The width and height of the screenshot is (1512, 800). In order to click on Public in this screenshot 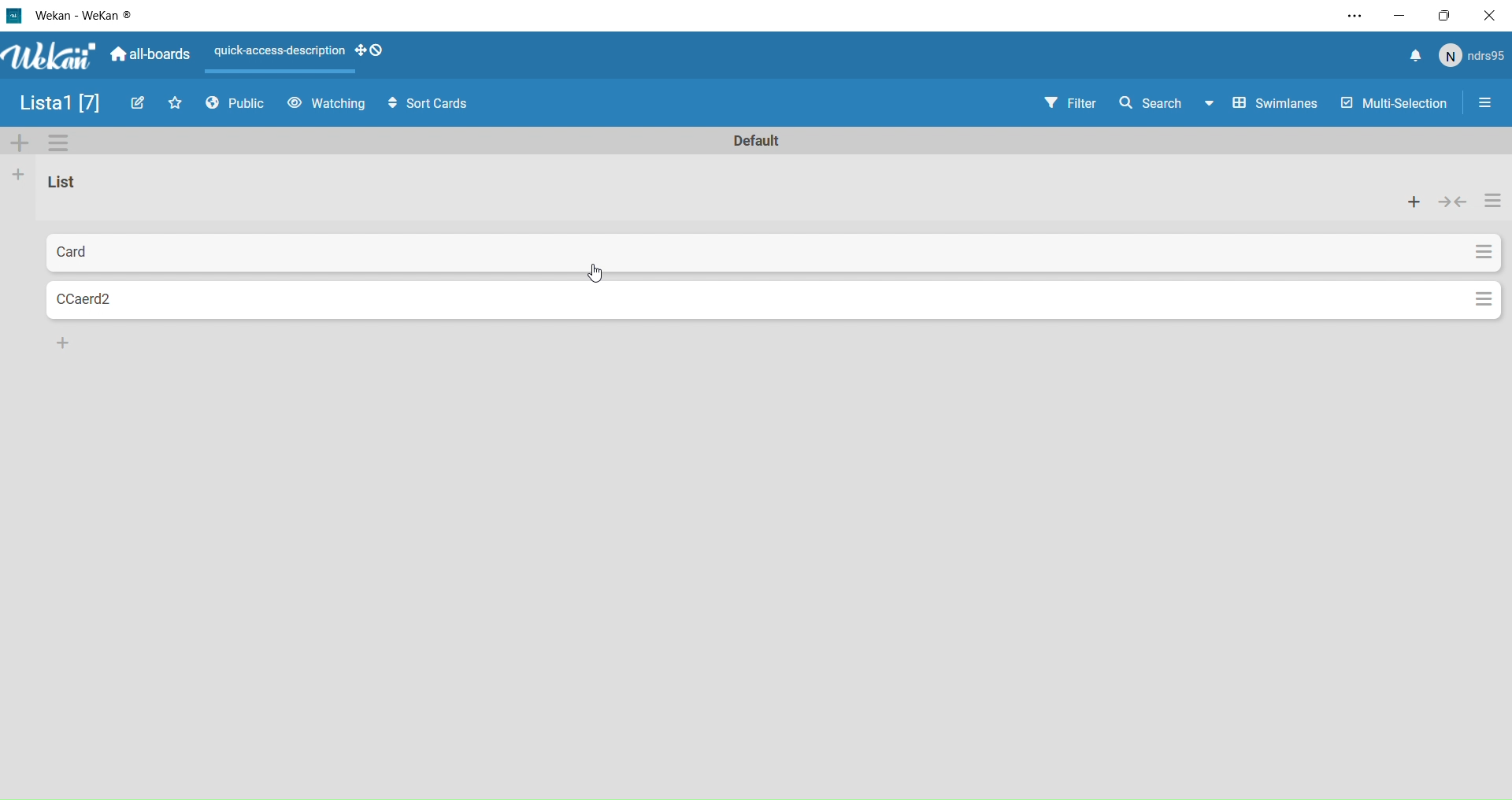, I will do `click(238, 103)`.